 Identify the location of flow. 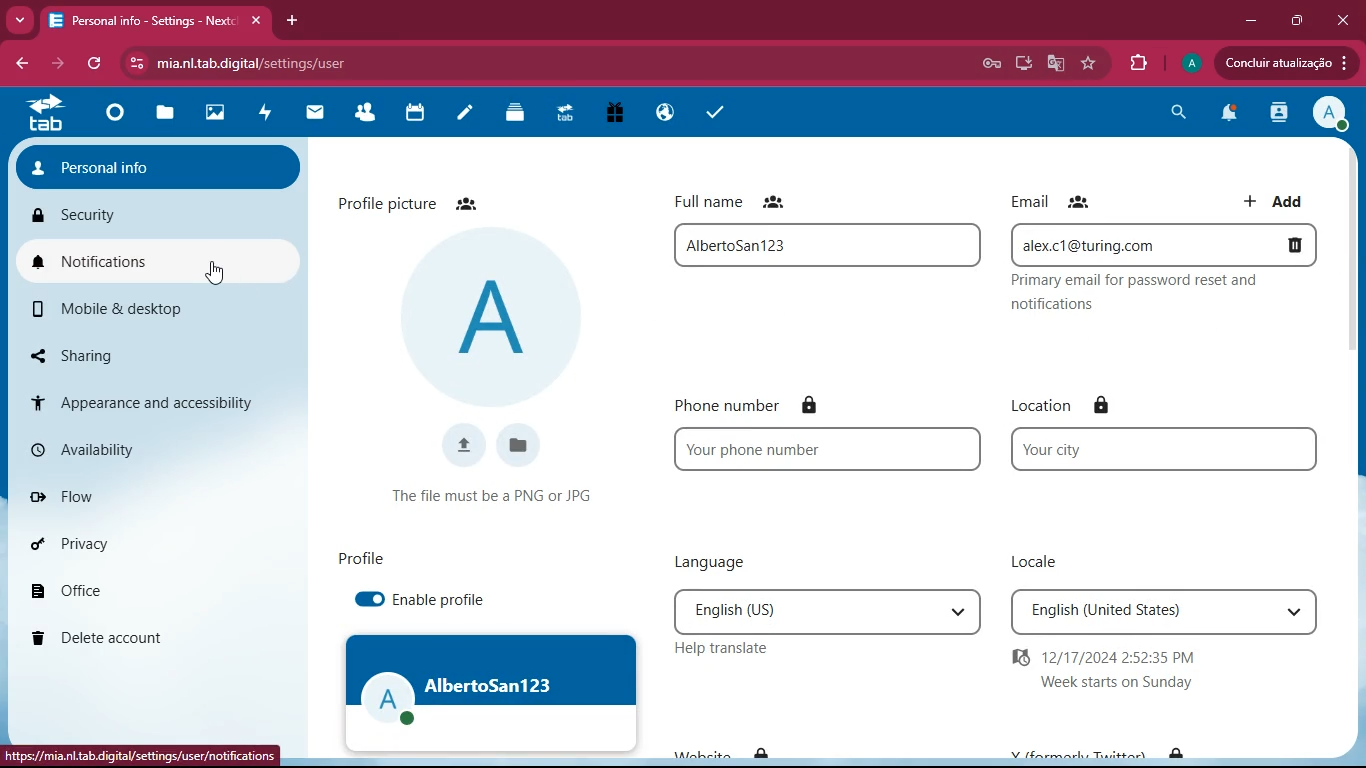
(139, 493).